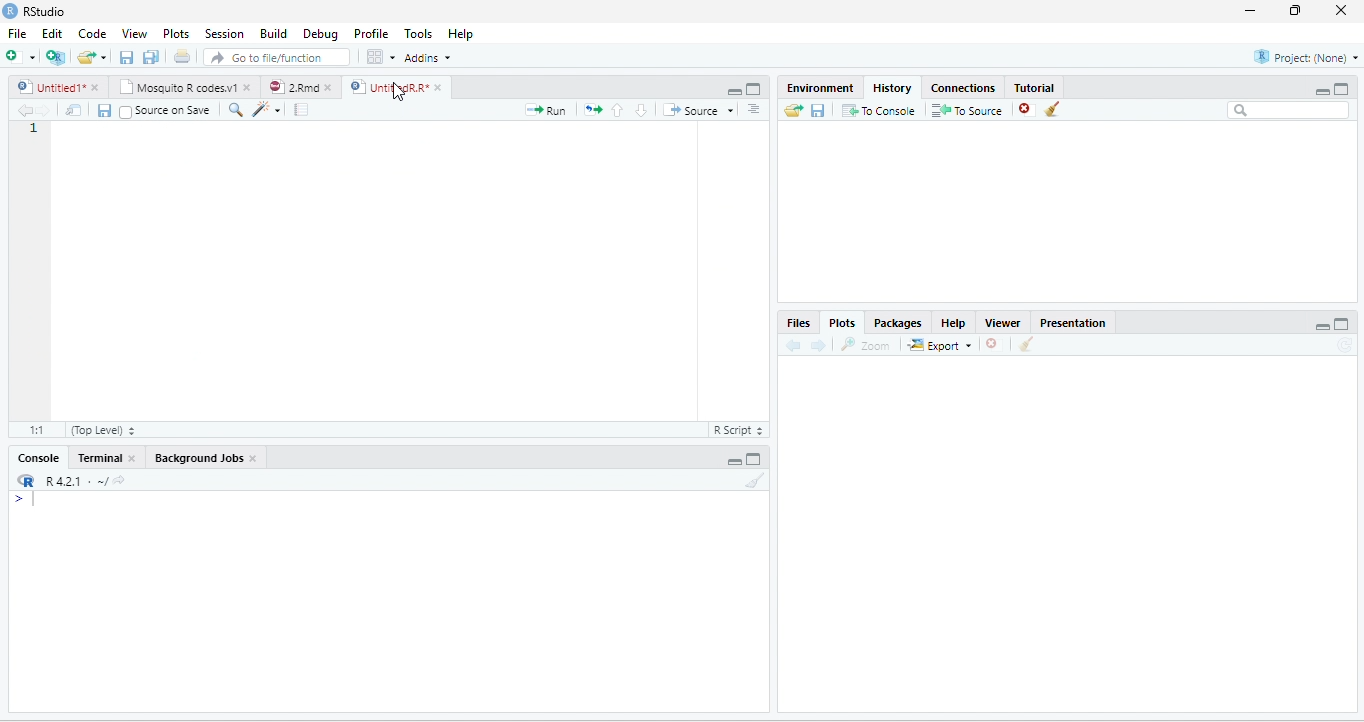 The image size is (1364, 722). I want to click on Session, so click(225, 33).